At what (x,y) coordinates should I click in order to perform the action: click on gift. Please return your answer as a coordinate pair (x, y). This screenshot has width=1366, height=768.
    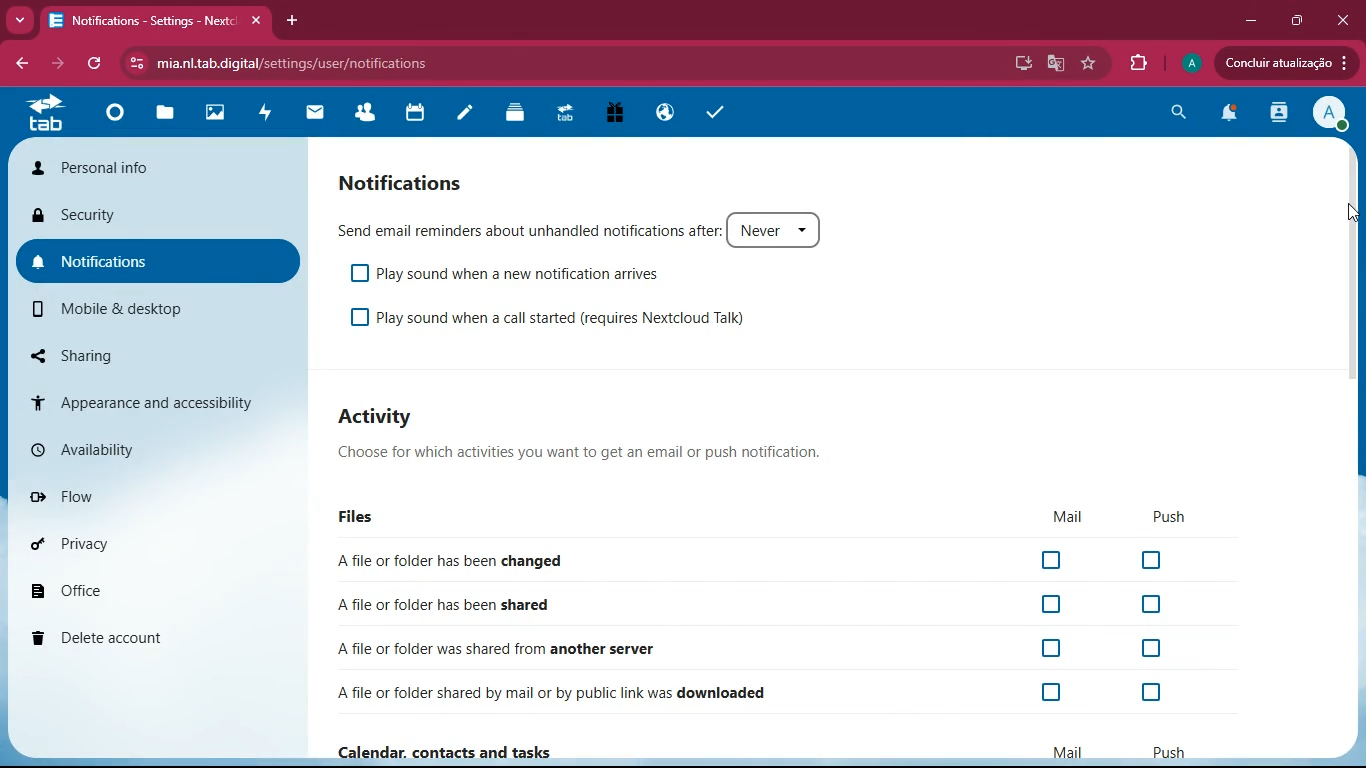
    Looking at the image, I should click on (616, 114).